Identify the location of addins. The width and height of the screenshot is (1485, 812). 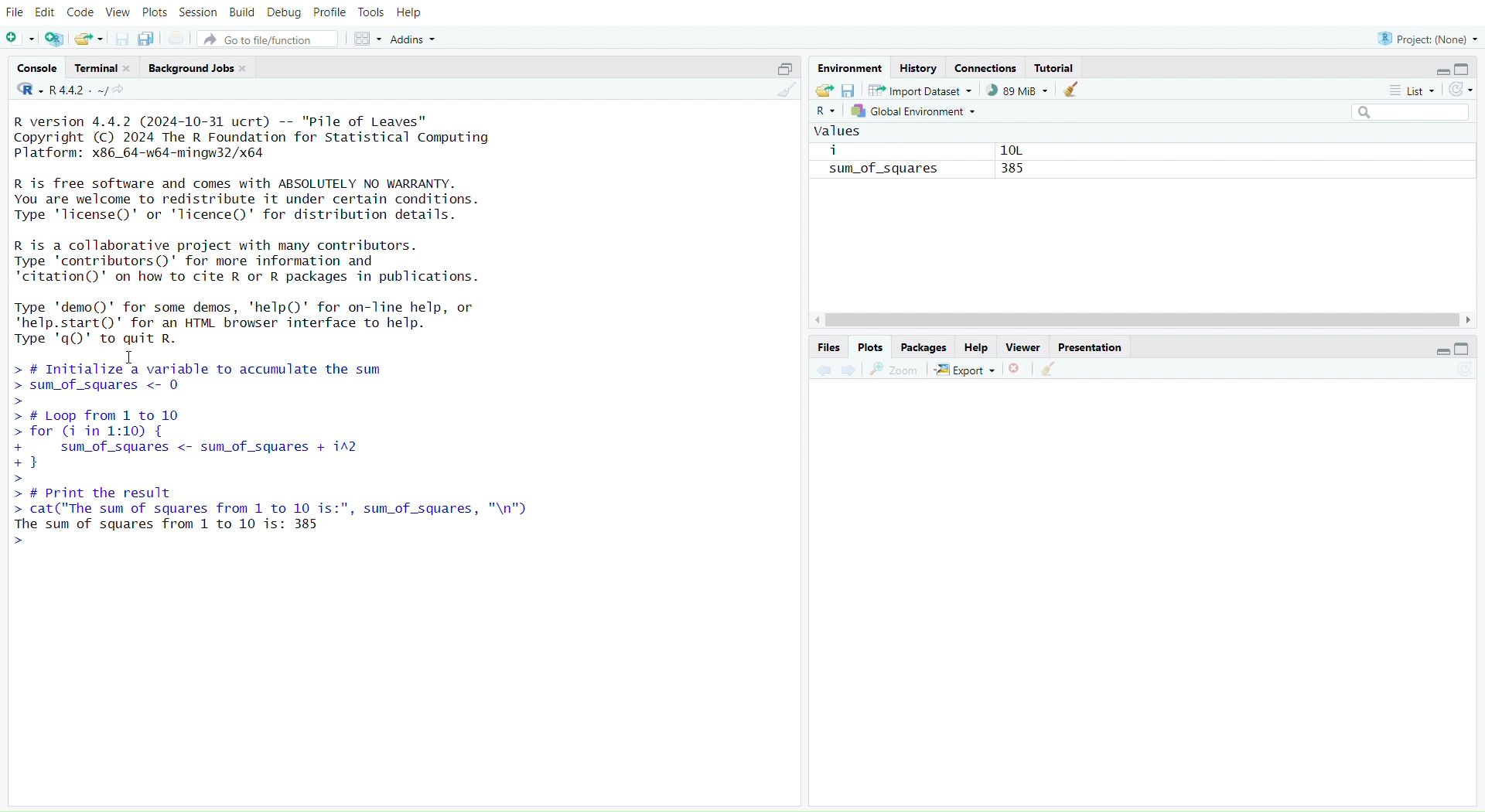
(418, 39).